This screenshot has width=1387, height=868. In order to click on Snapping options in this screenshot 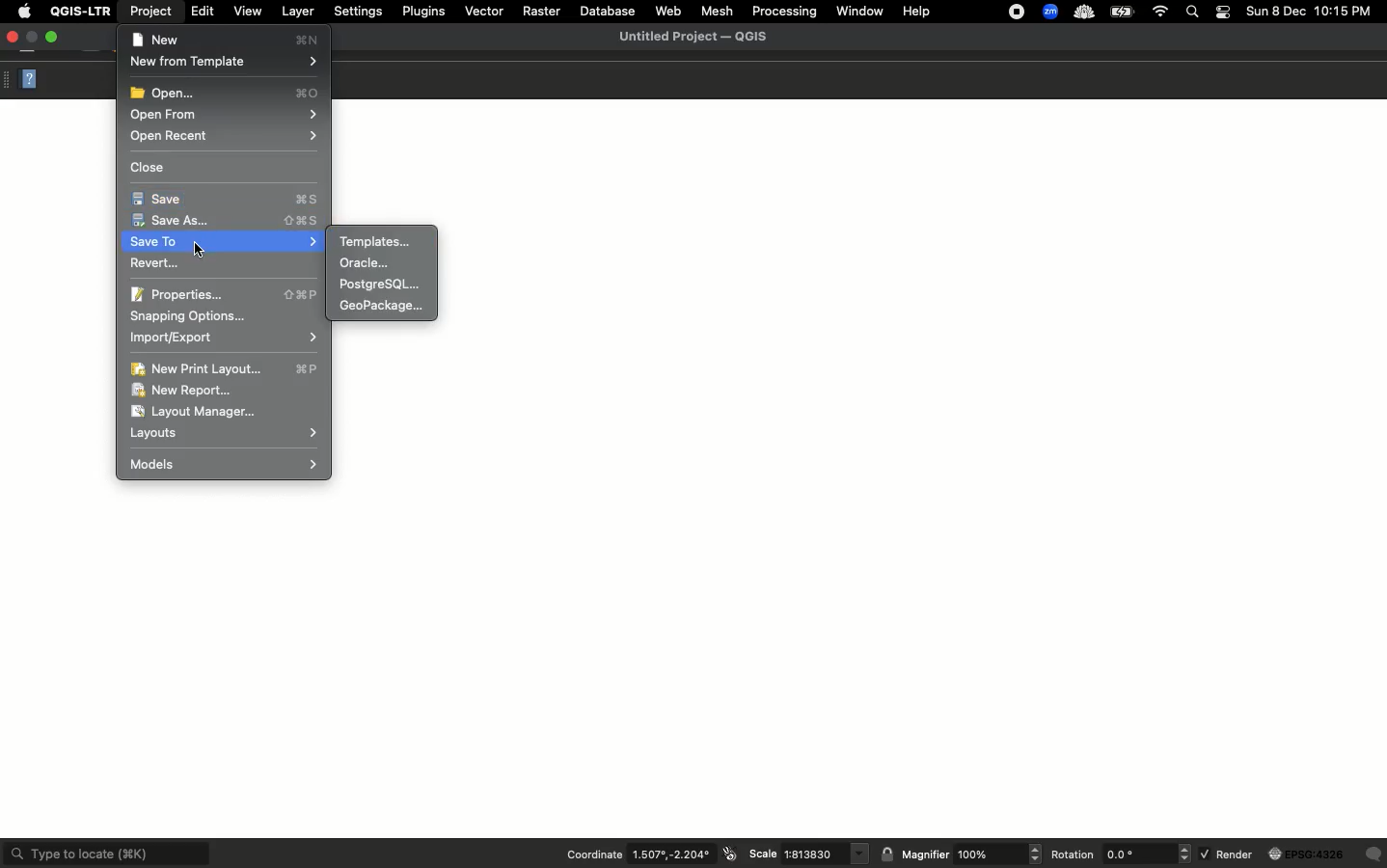, I will do `click(192, 316)`.